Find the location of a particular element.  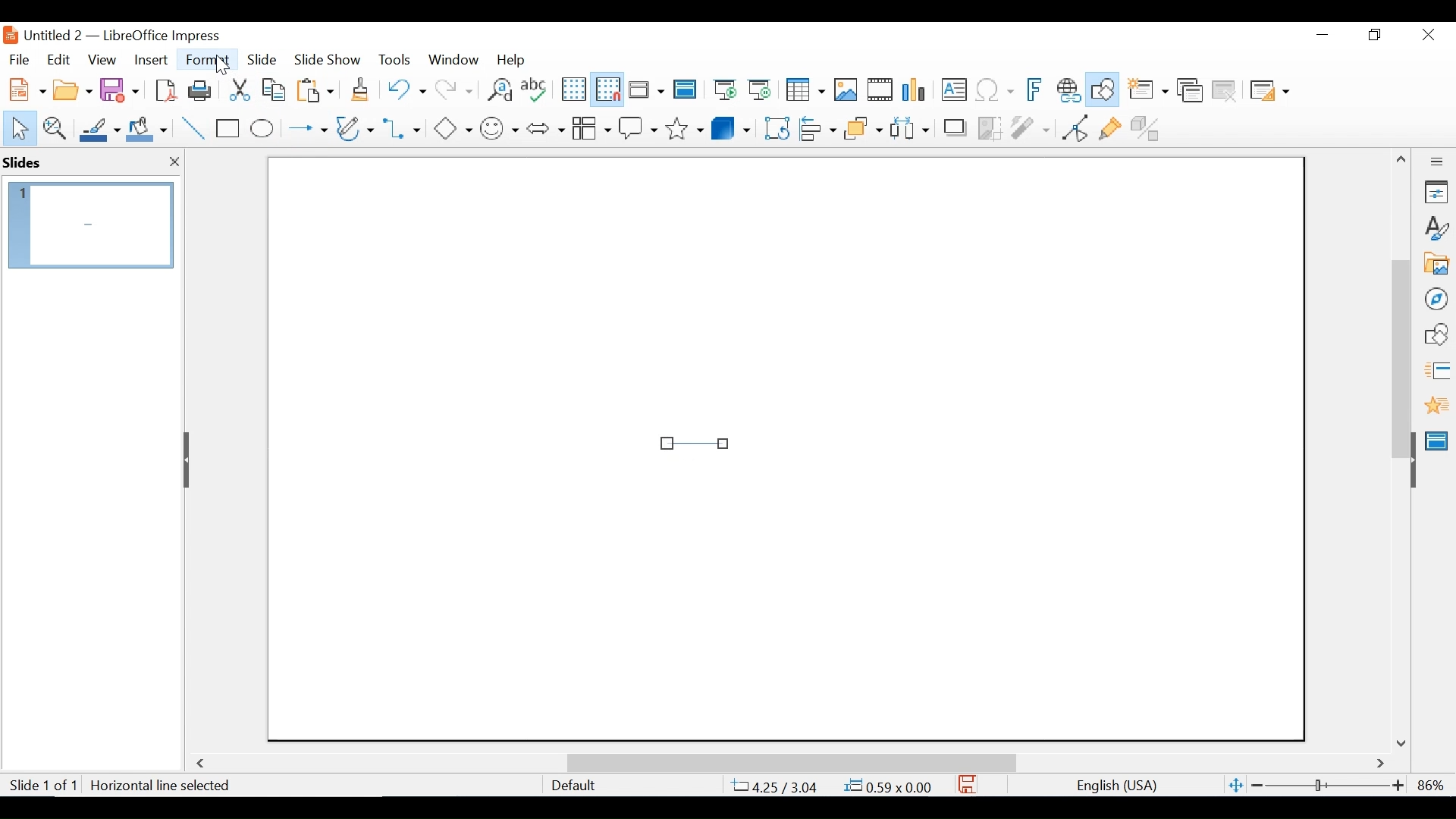

Undo is located at coordinates (404, 88).